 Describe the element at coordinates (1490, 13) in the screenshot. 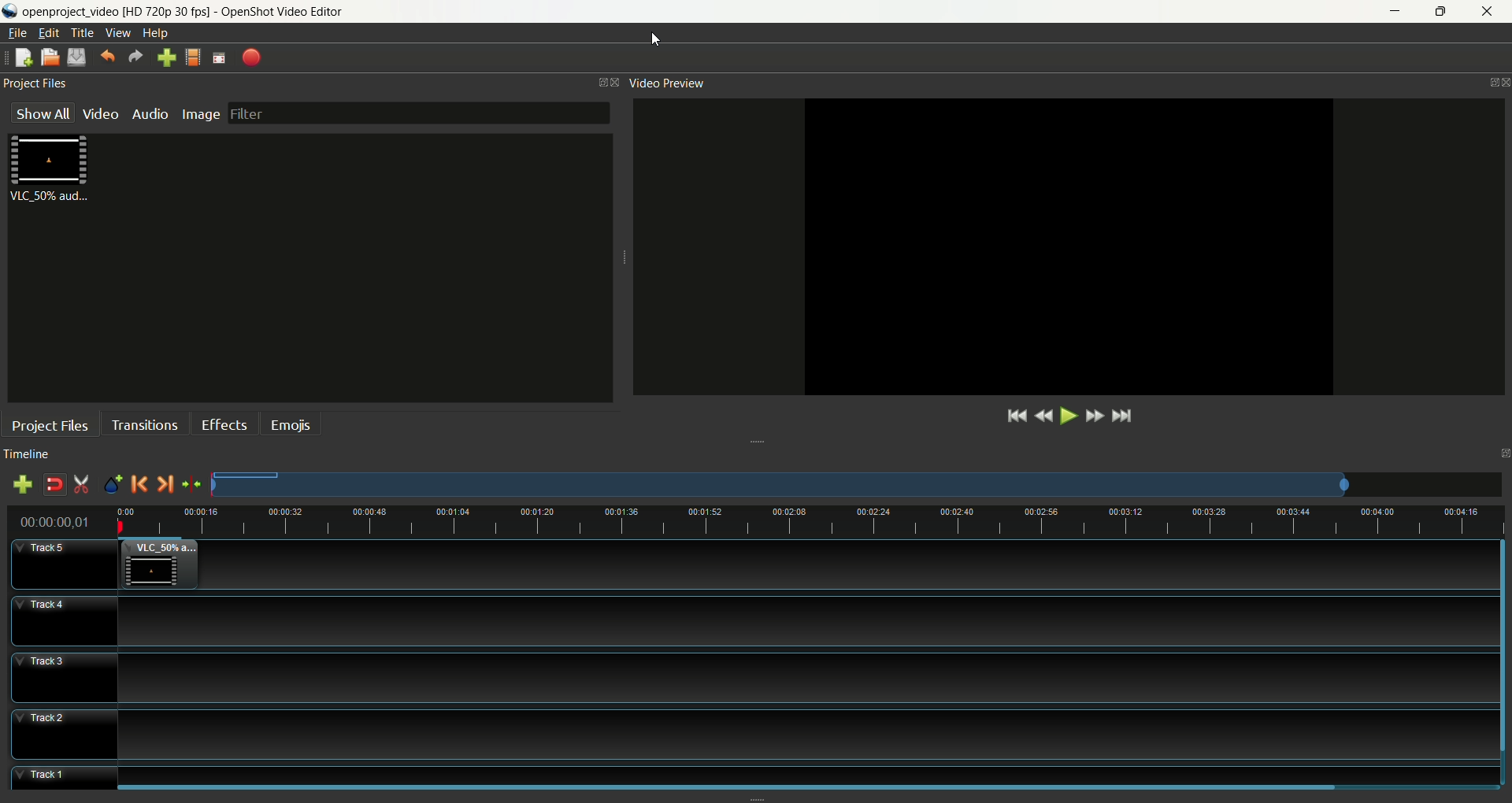

I see `close` at that location.